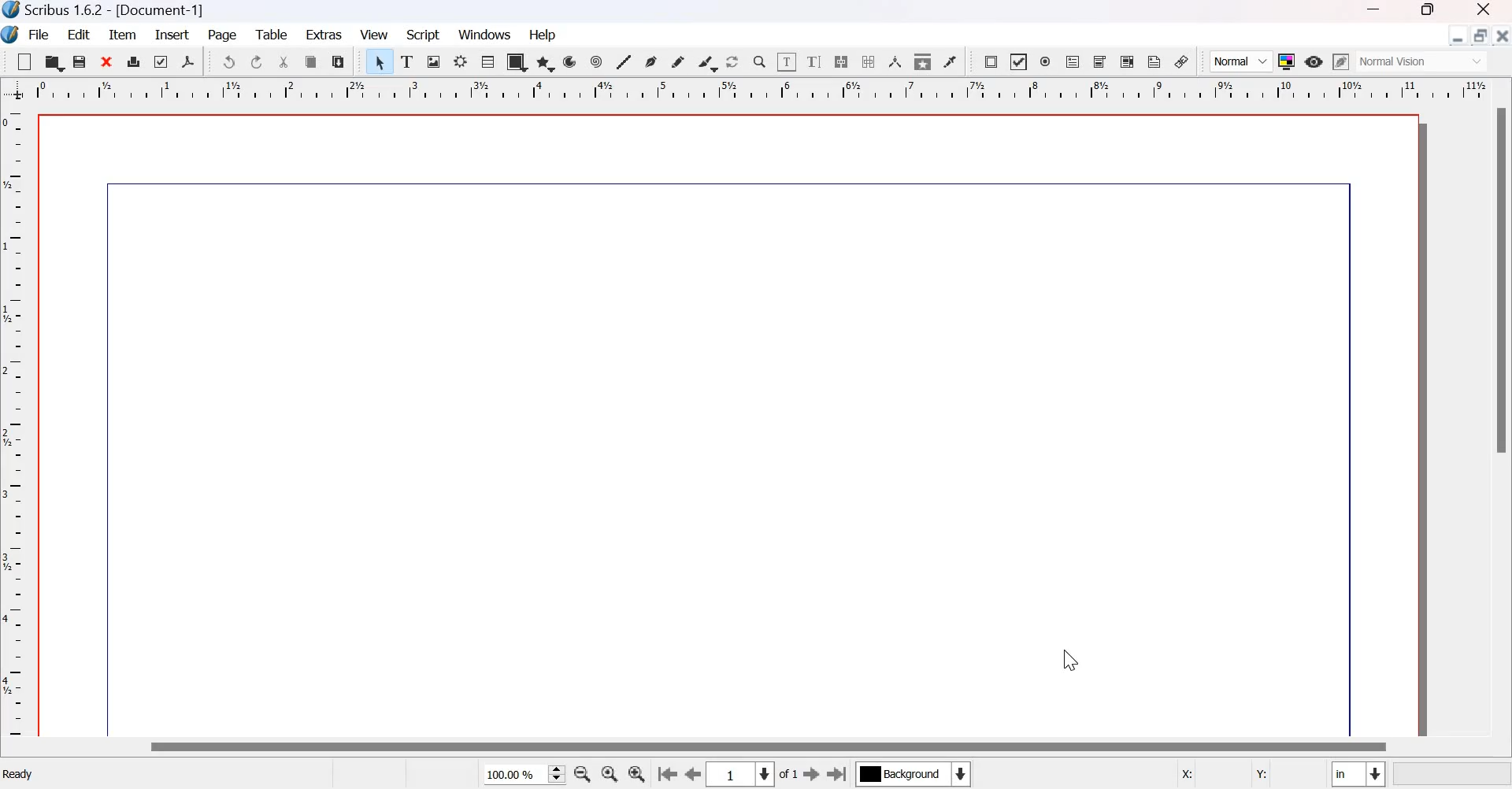 The height and width of the screenshot is (789, 1512). I want to click on PDF text field, so click(1074, 61).